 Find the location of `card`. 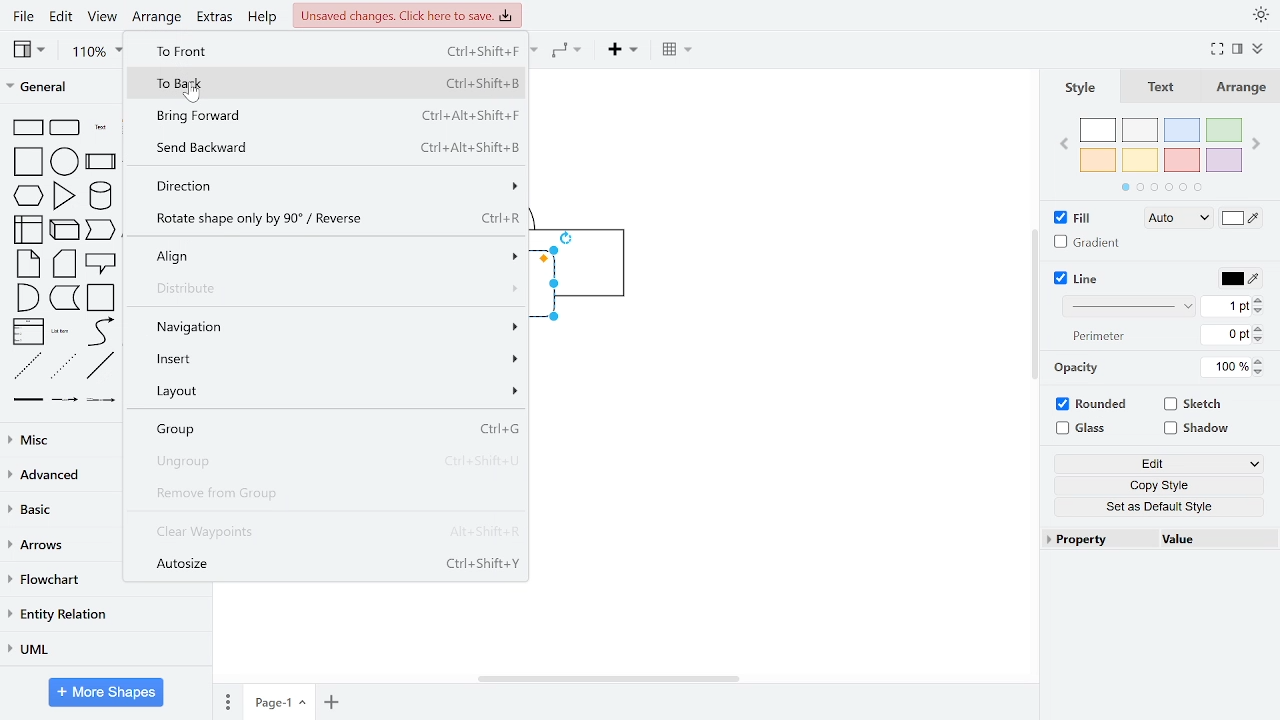

card is located at coordinates (66, 263).